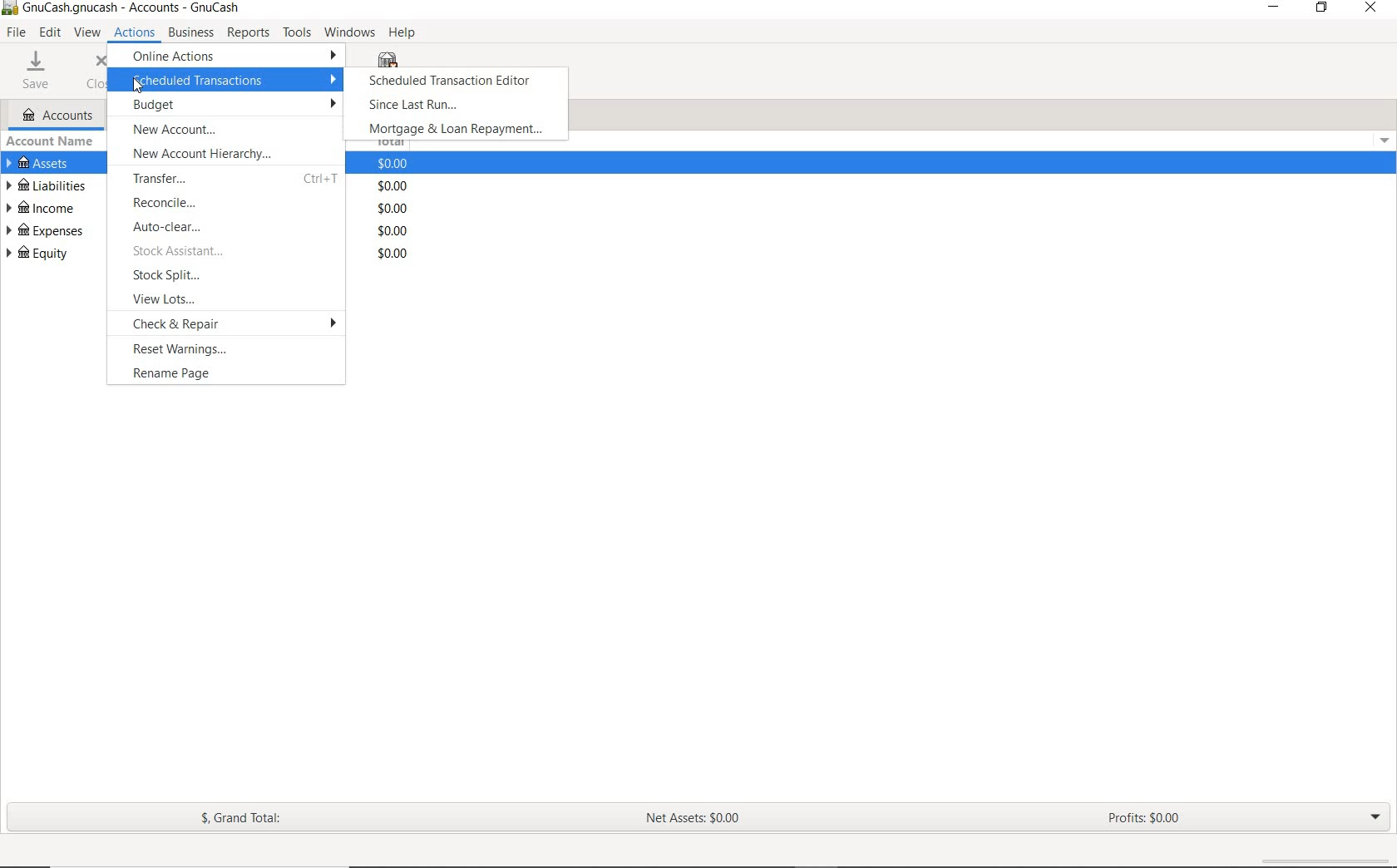 This screenshot has width=1397, height=868. What do you see at coordinates (1376, 817) in the screenshot?
I see `EXPAND` at bounding box center [1376, 817].